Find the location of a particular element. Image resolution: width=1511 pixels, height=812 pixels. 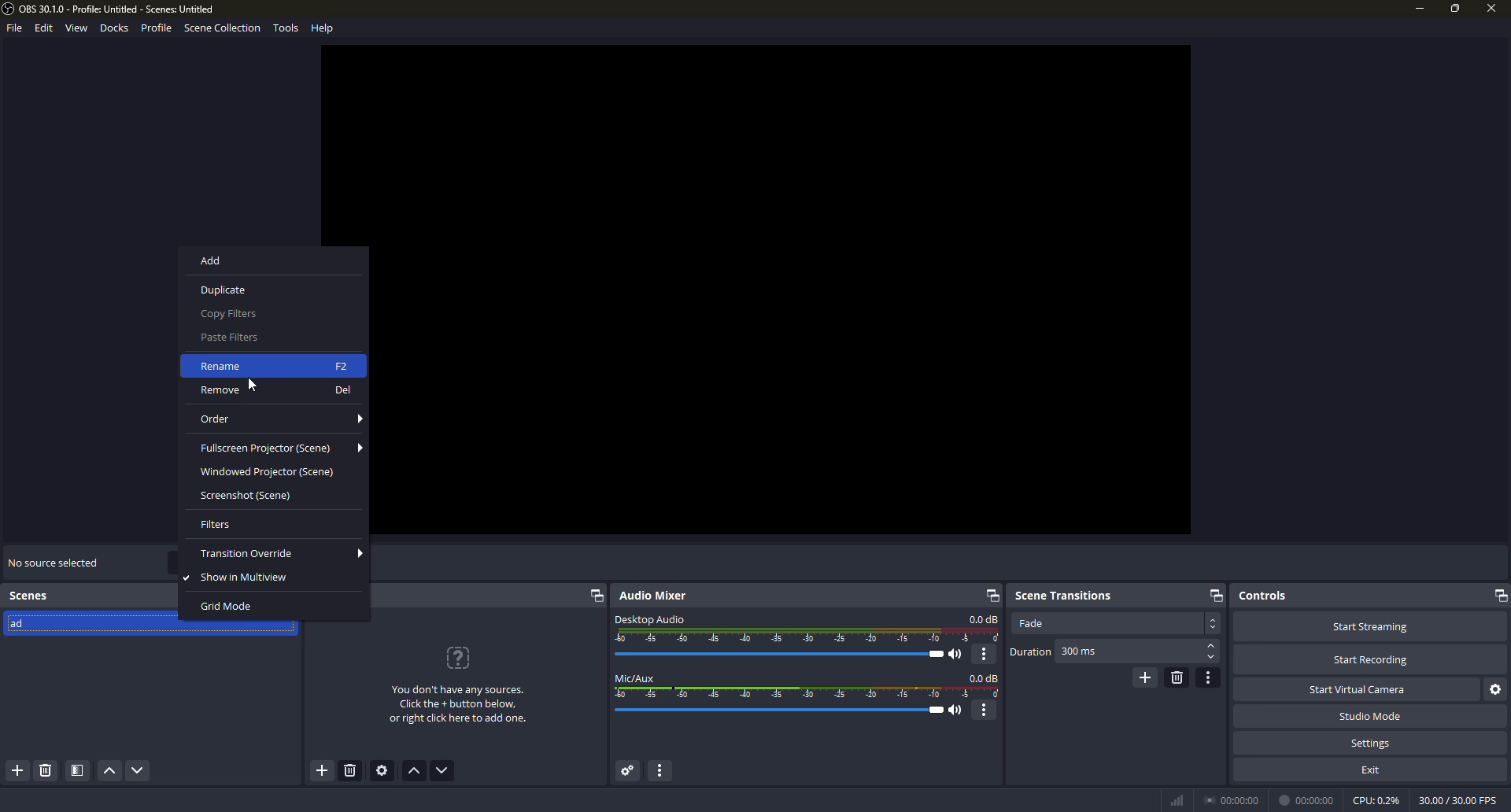

cpu level is located at coordinates (1376, 799).